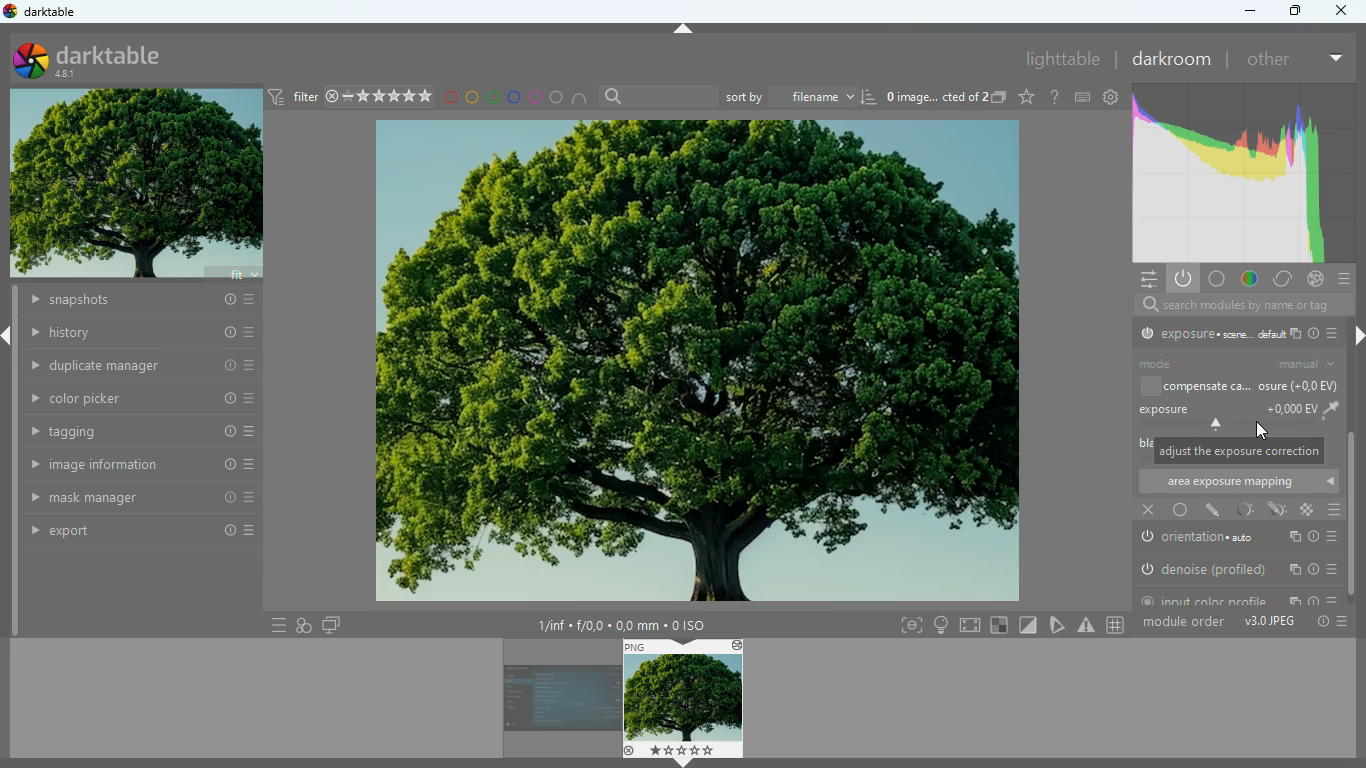 The image size is (1366, 768). I want to click on settings, so click(1147, 279).